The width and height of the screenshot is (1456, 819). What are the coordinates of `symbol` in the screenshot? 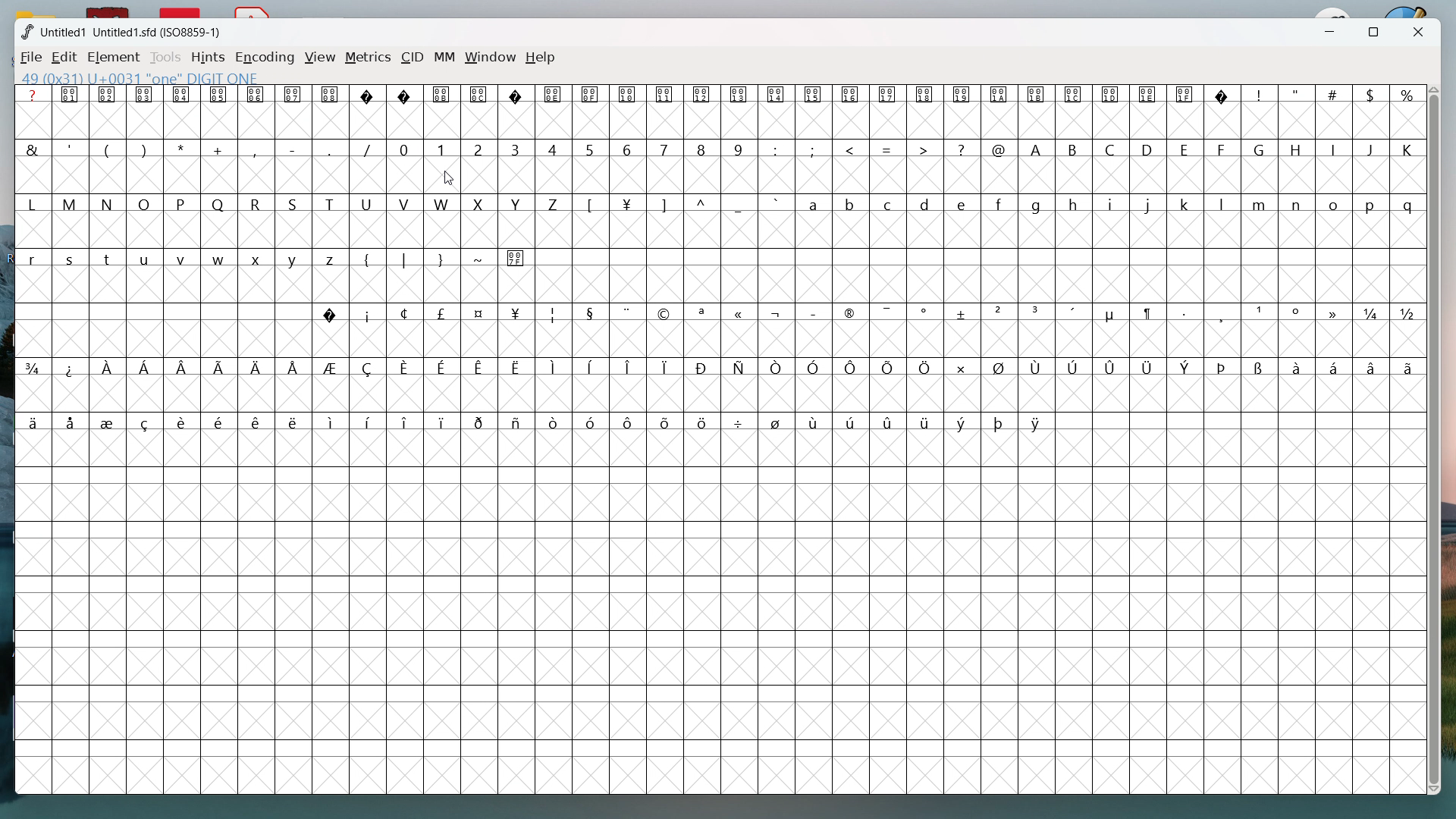 It's located at (144, 94).